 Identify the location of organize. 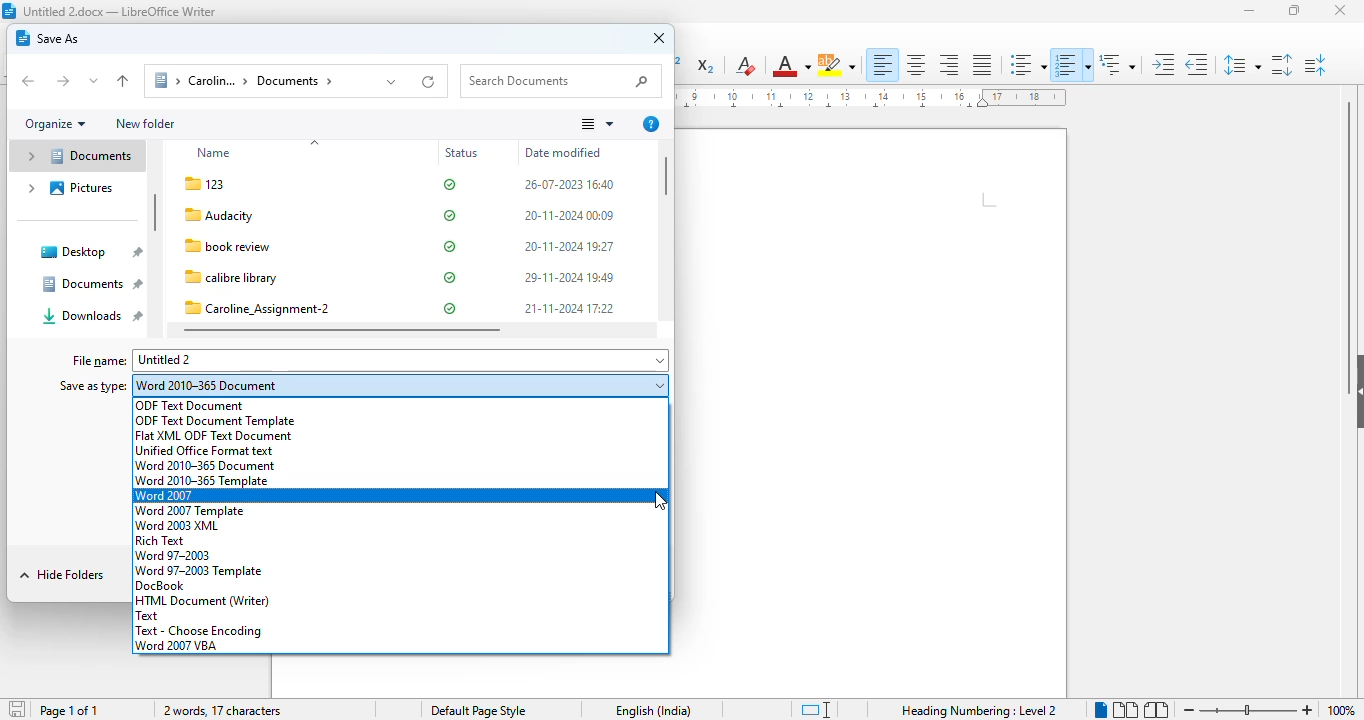
(55, 124).